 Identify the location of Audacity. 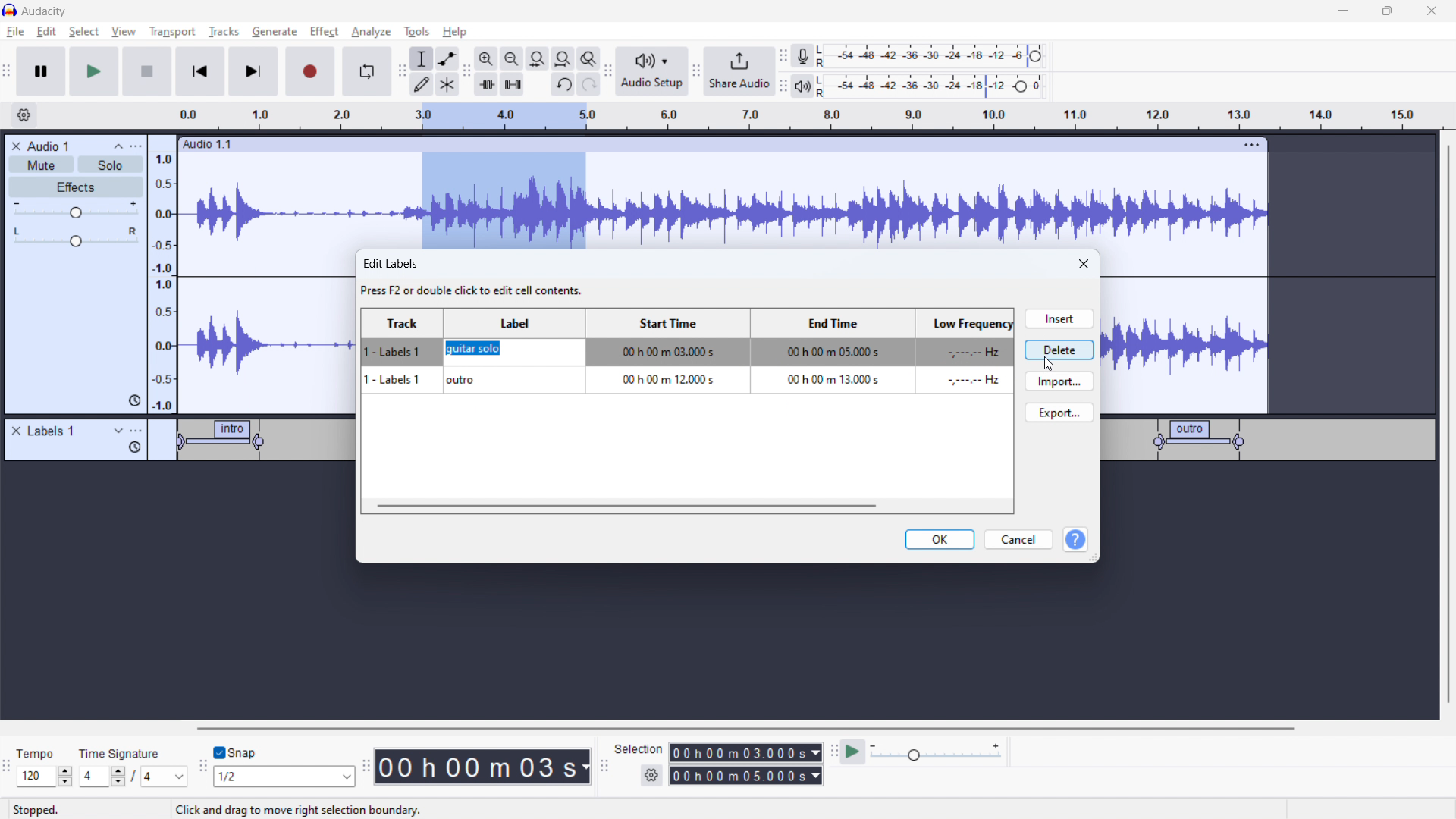
(47, 11).